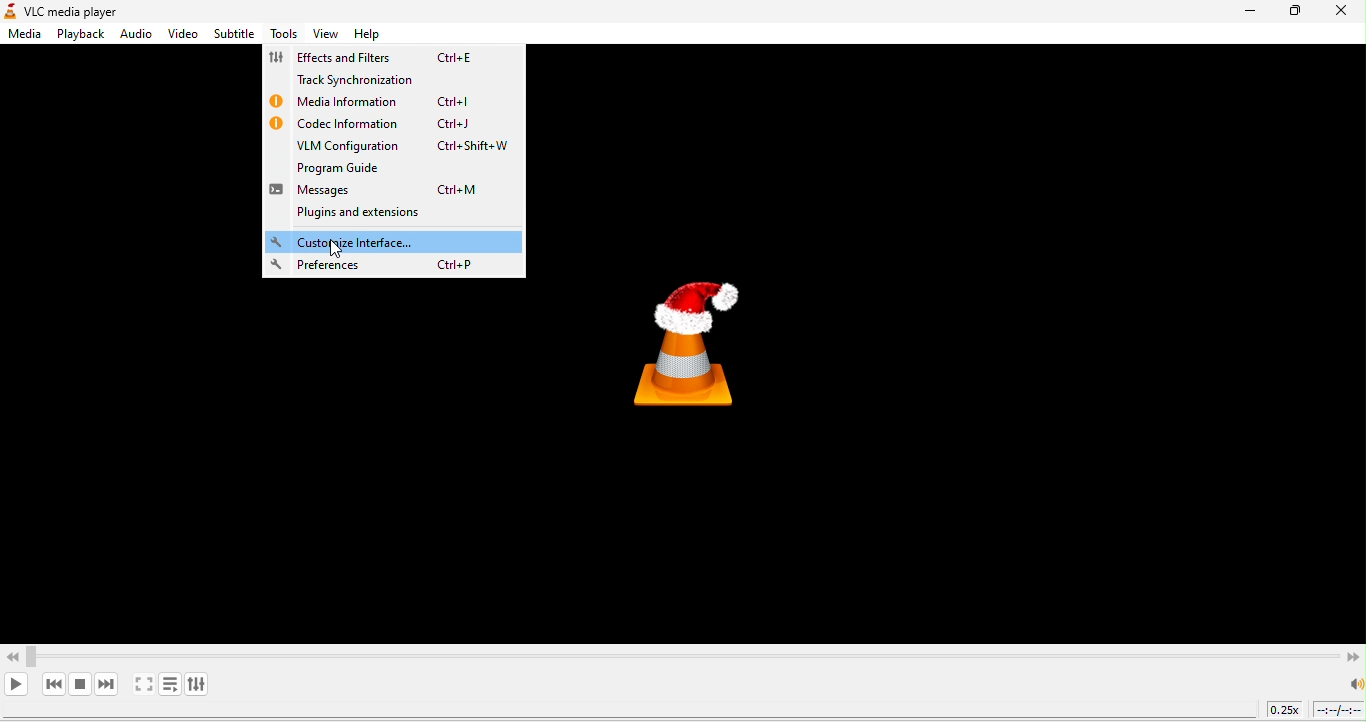  Describe the element at coordinates (323, 36) in the screenshot. I see `view` at that location.